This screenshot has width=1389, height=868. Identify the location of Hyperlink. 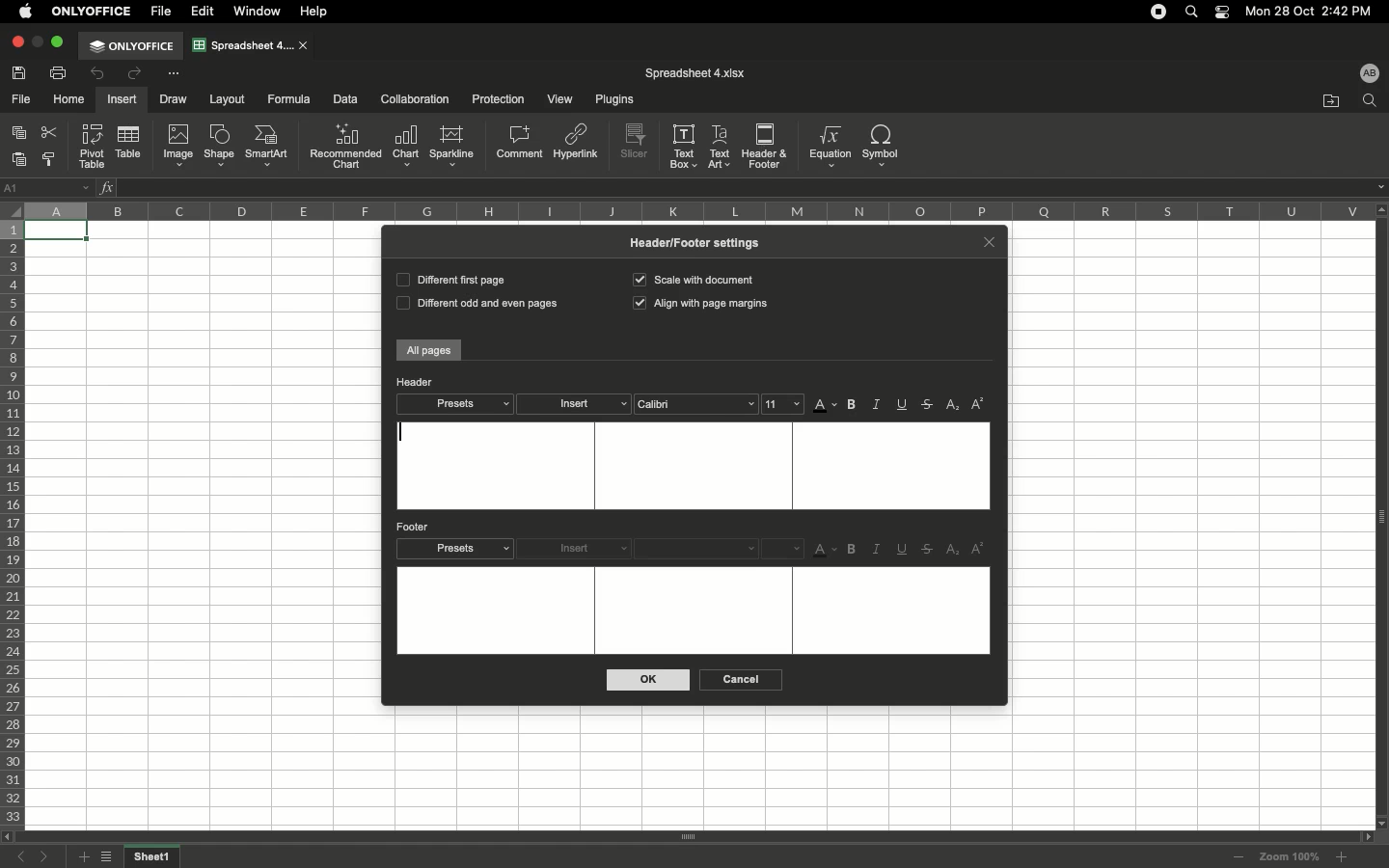
(577, 146).